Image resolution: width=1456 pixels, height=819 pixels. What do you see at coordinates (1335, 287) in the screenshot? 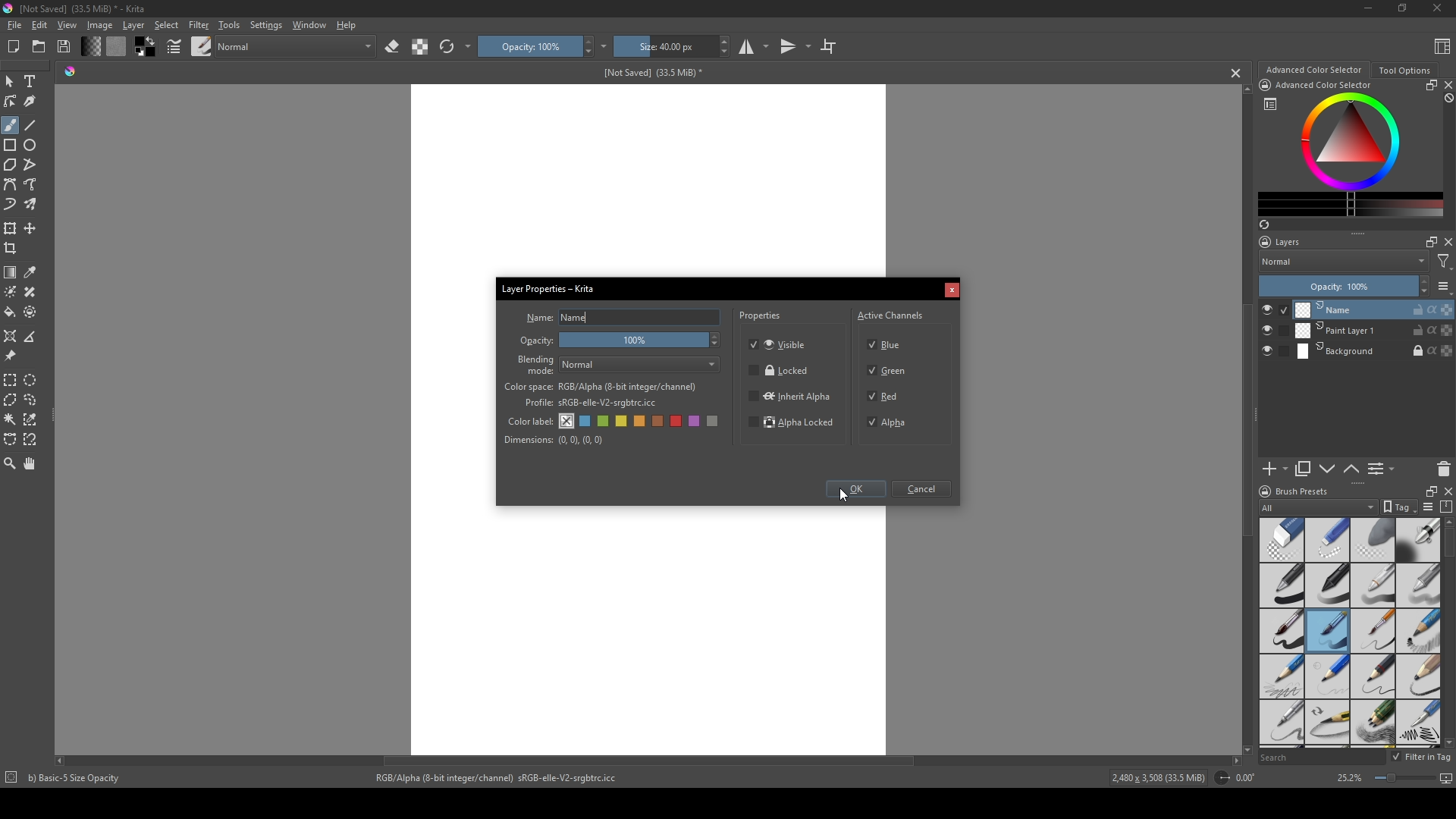
I see `Opacity: 100%` at bounding box center [1335, 287].